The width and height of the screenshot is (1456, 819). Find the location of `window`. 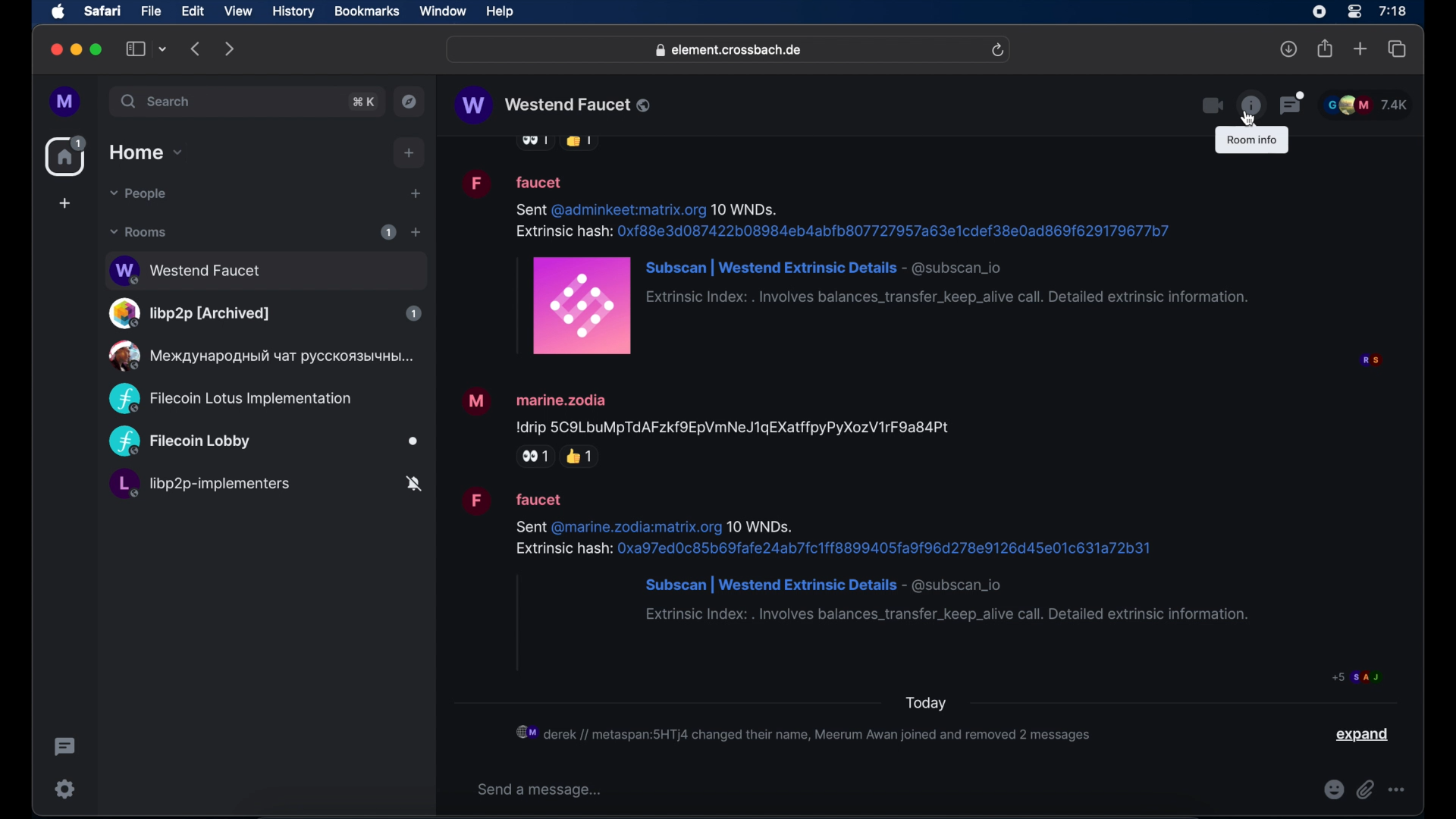

window is located at coordinates (443, 11).